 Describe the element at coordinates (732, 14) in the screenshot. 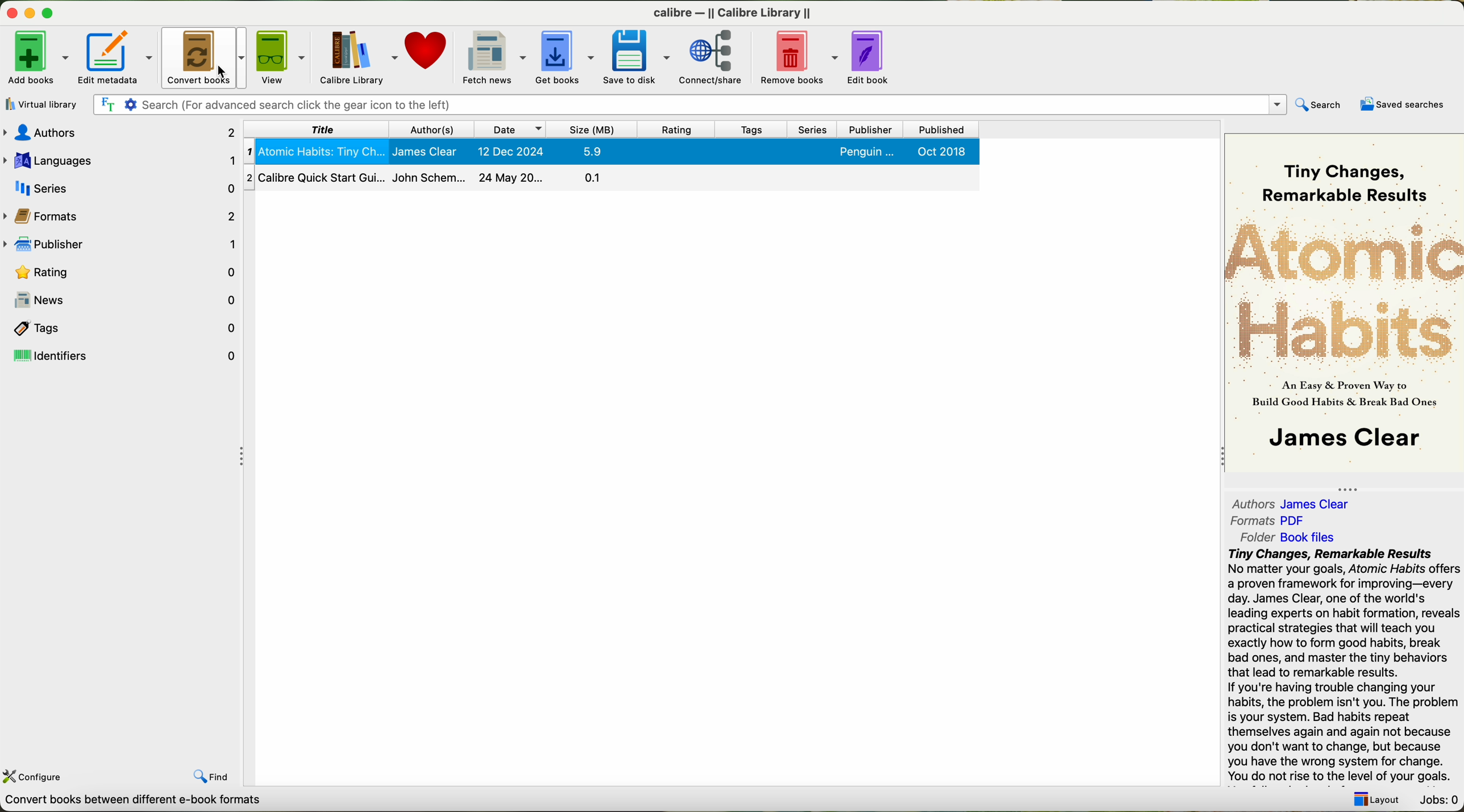

I see `calibre` at that location.